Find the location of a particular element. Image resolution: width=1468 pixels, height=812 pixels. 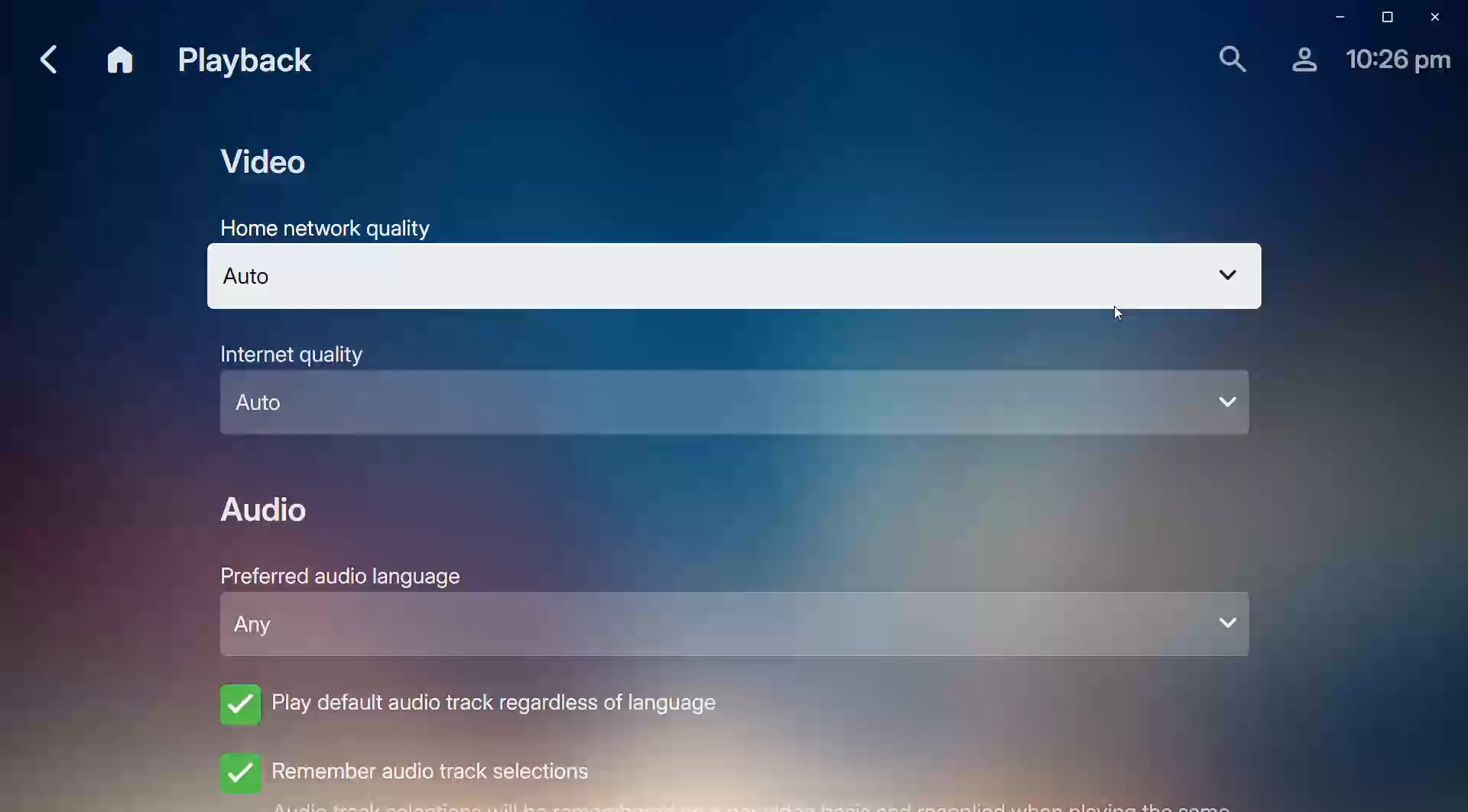

Home Network Quality - Auto is located at coordinates (645, 271).